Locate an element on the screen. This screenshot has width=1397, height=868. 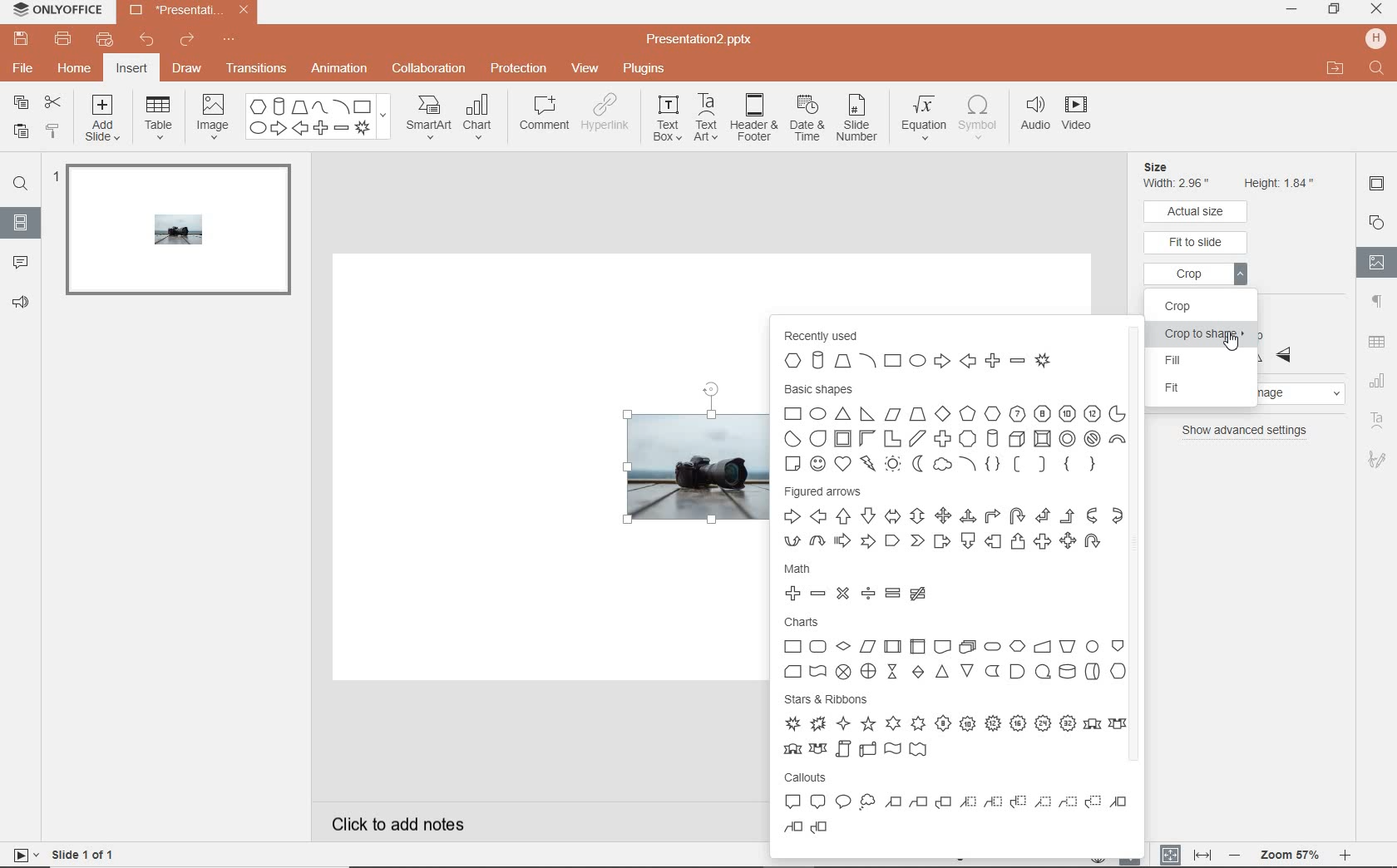
quick print is located at coordinates (106, 38).